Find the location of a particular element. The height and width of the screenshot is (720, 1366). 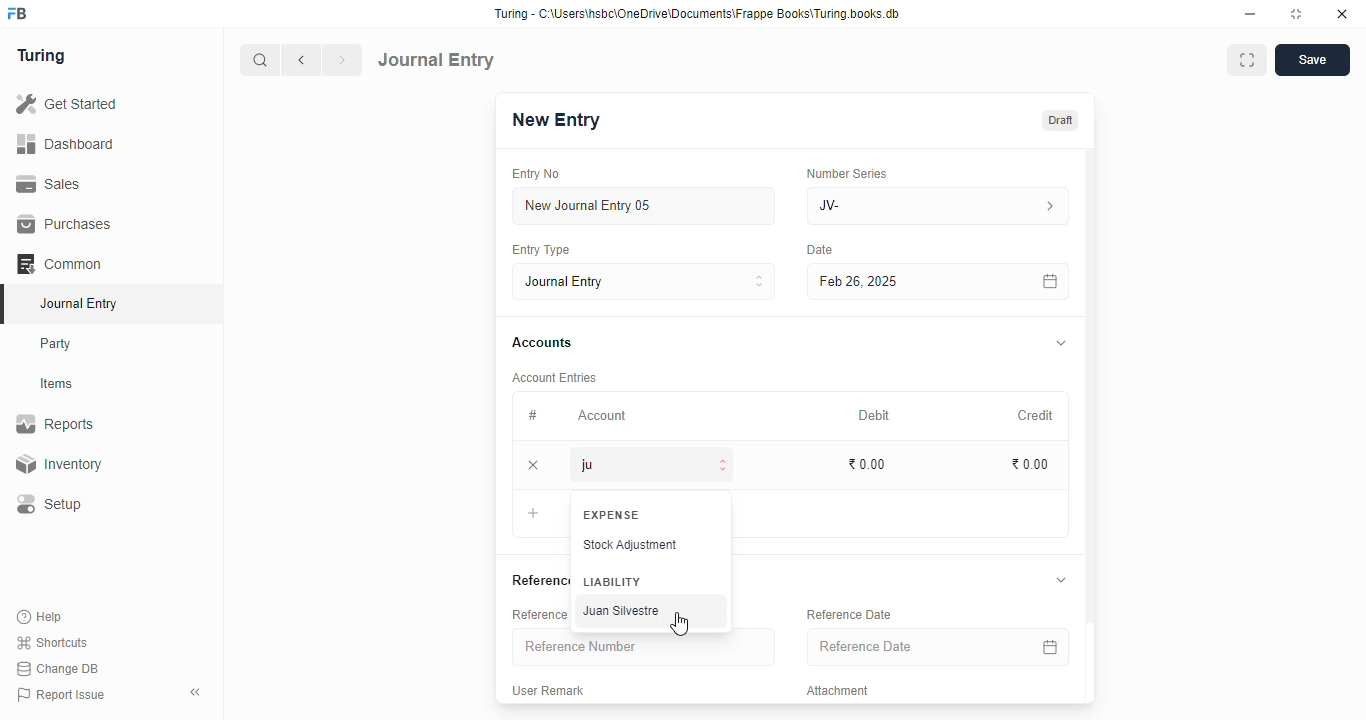

inventory is located at coordinates (58, 464).